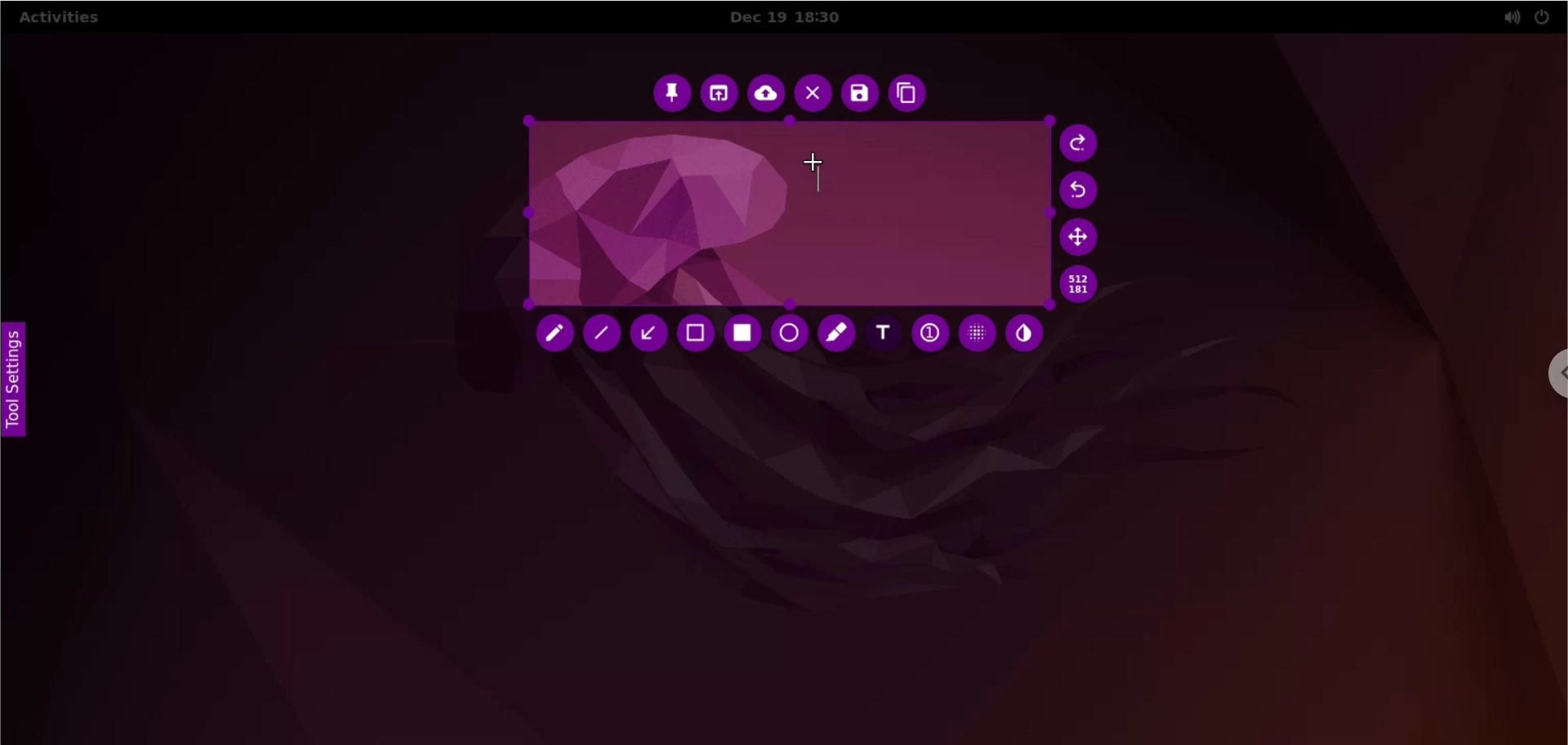 The height and width of the screenshot is (745, 1568). What do you see at coordinates (698, 335) in the screenshot?
I see `selection tool` at bounding box center [698, 335].